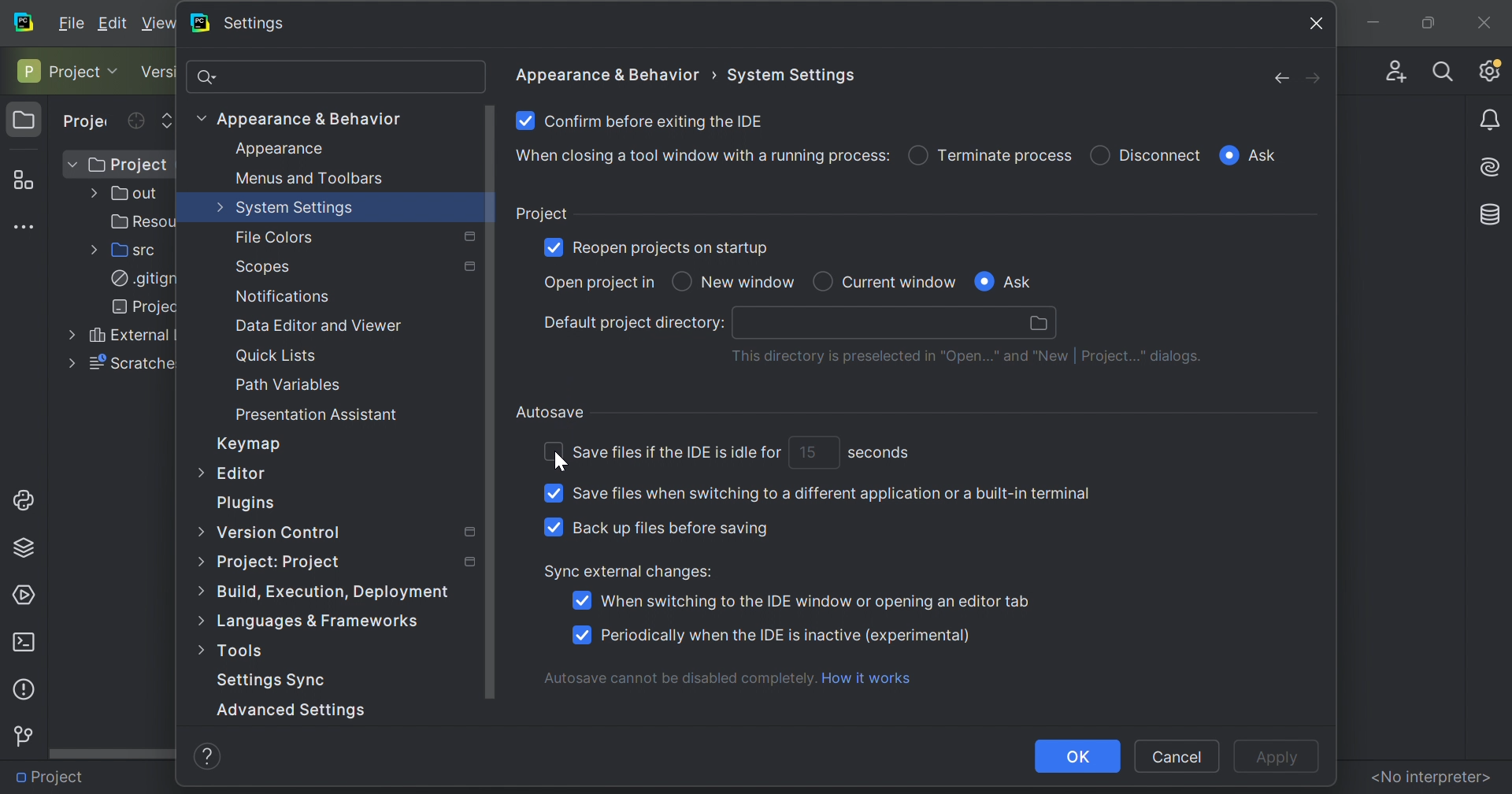  I want to click on File colore, so click(274, 238).